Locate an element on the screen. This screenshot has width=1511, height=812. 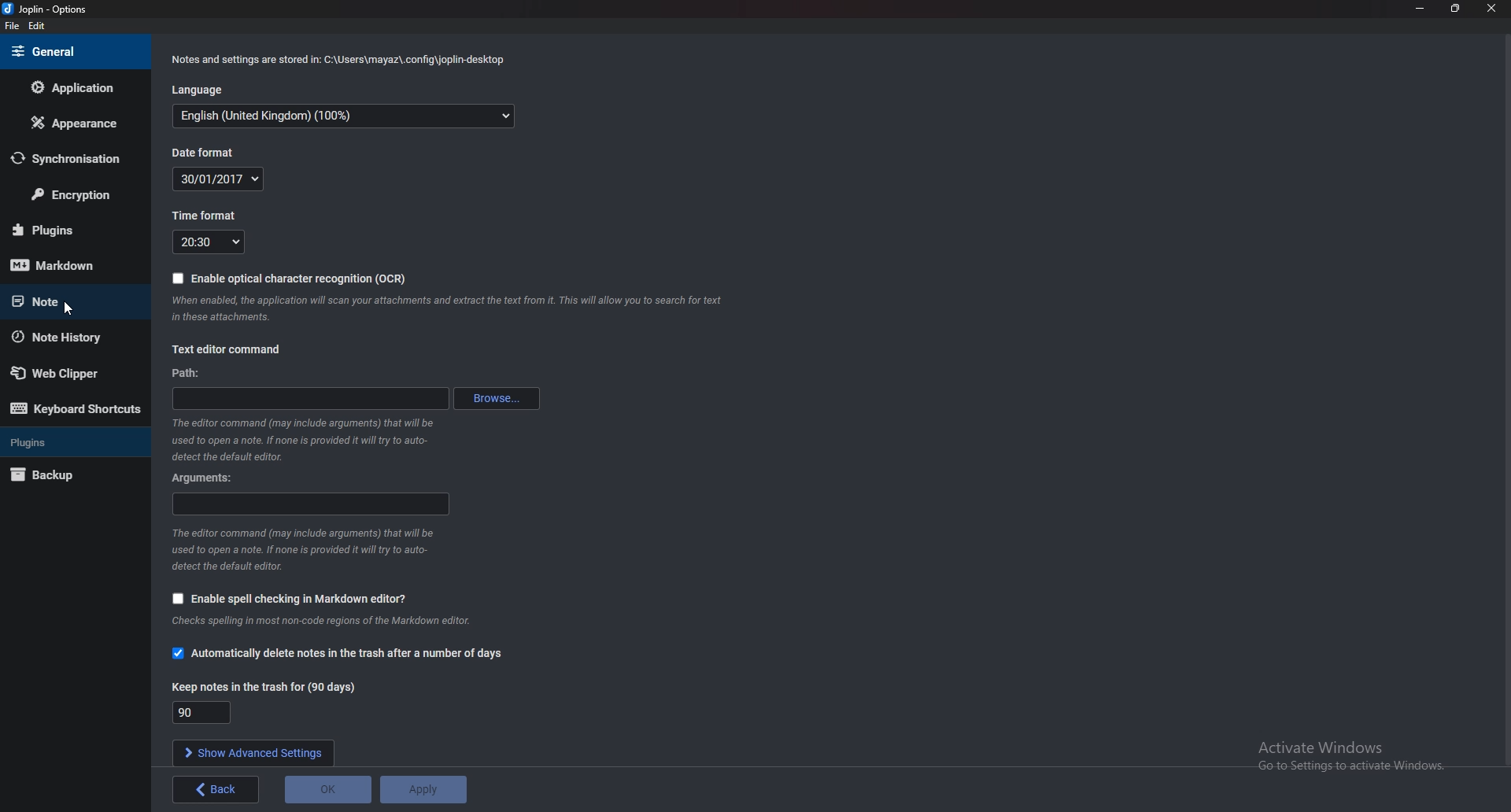
date format is located at coordinates (220, 179).